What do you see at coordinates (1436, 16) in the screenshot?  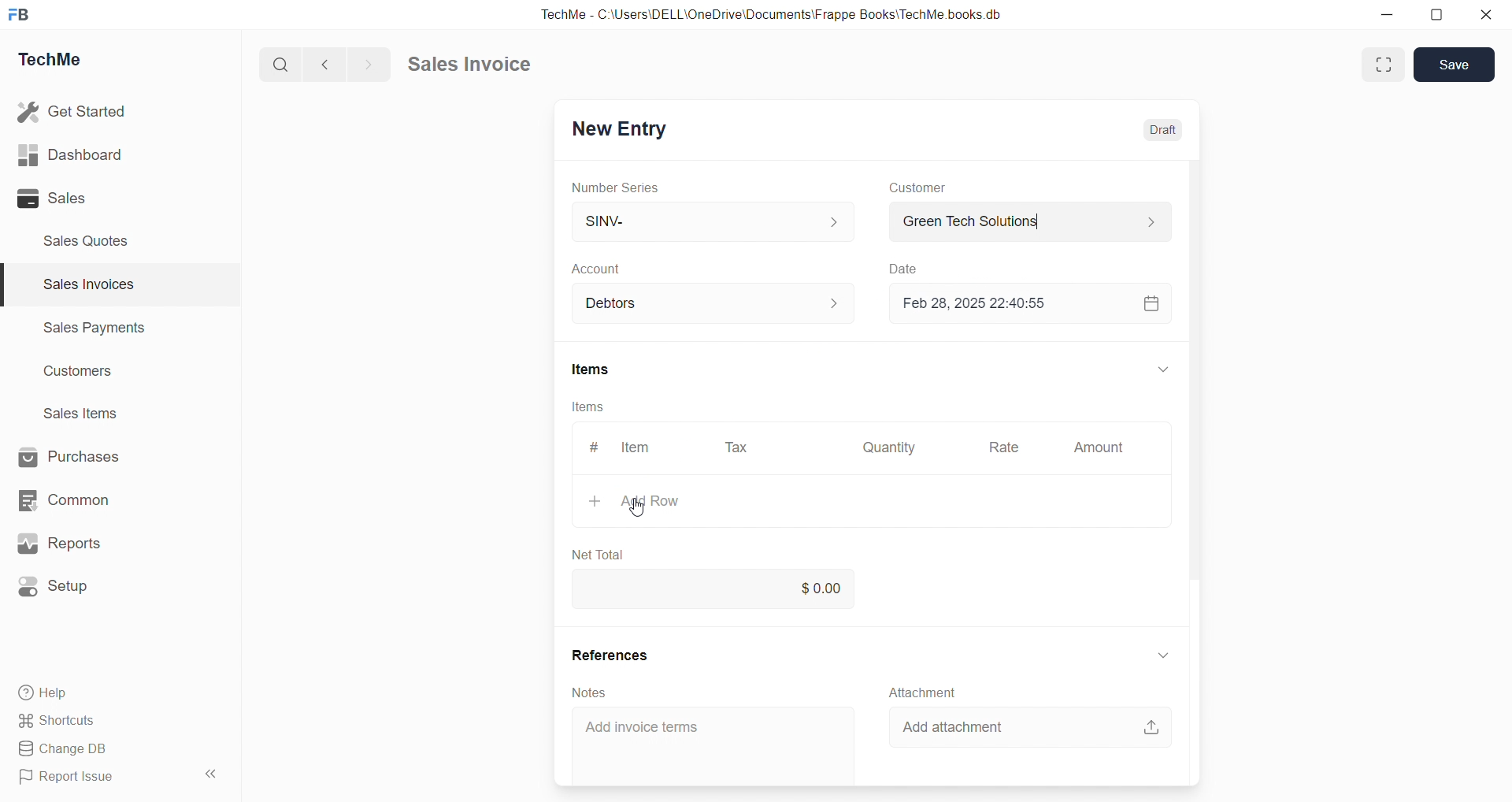 I see `resize` at bounding box center [1436, 16].